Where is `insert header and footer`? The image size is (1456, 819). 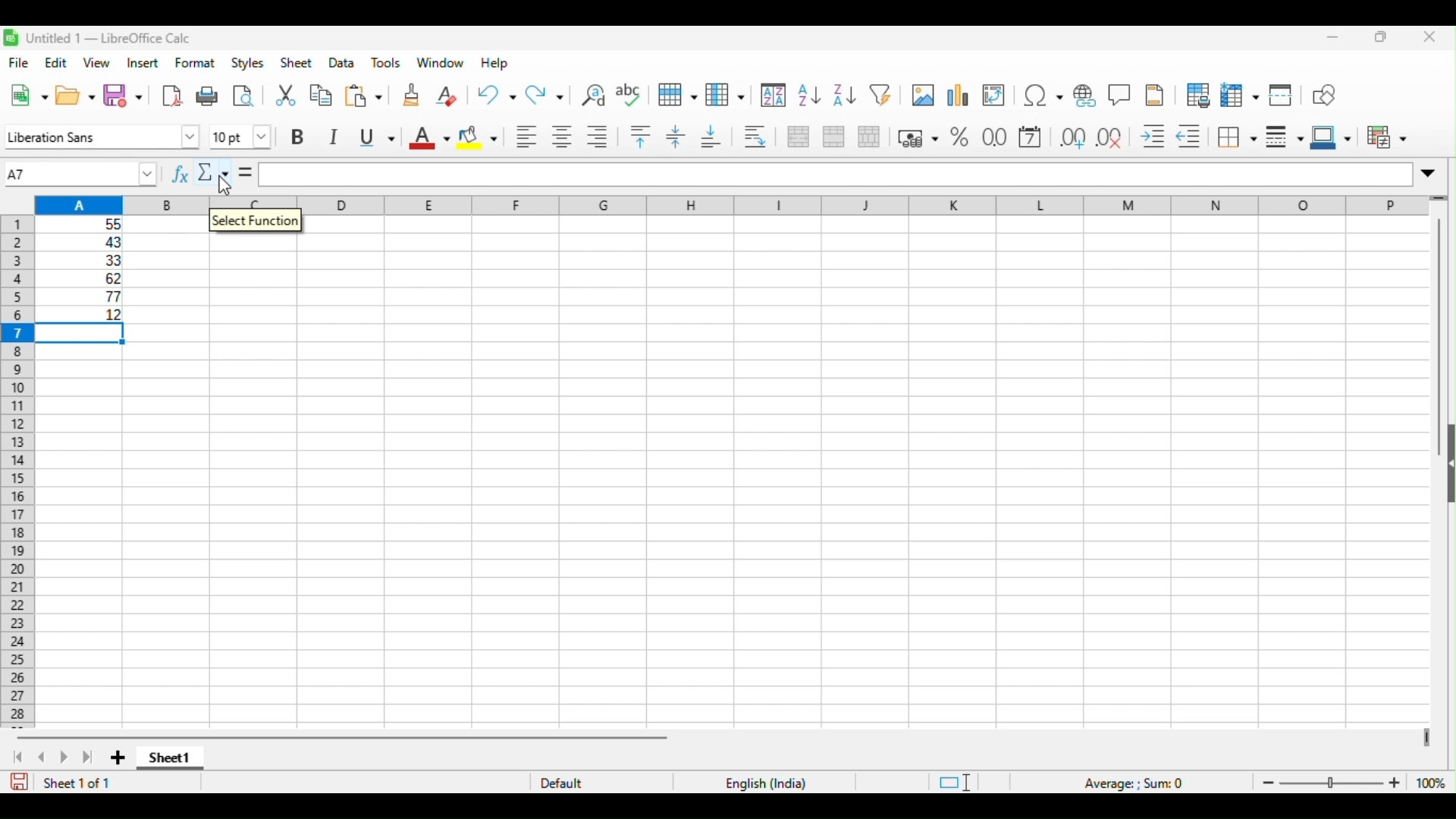
insert header and footer is located at coordinates (1153, 94).